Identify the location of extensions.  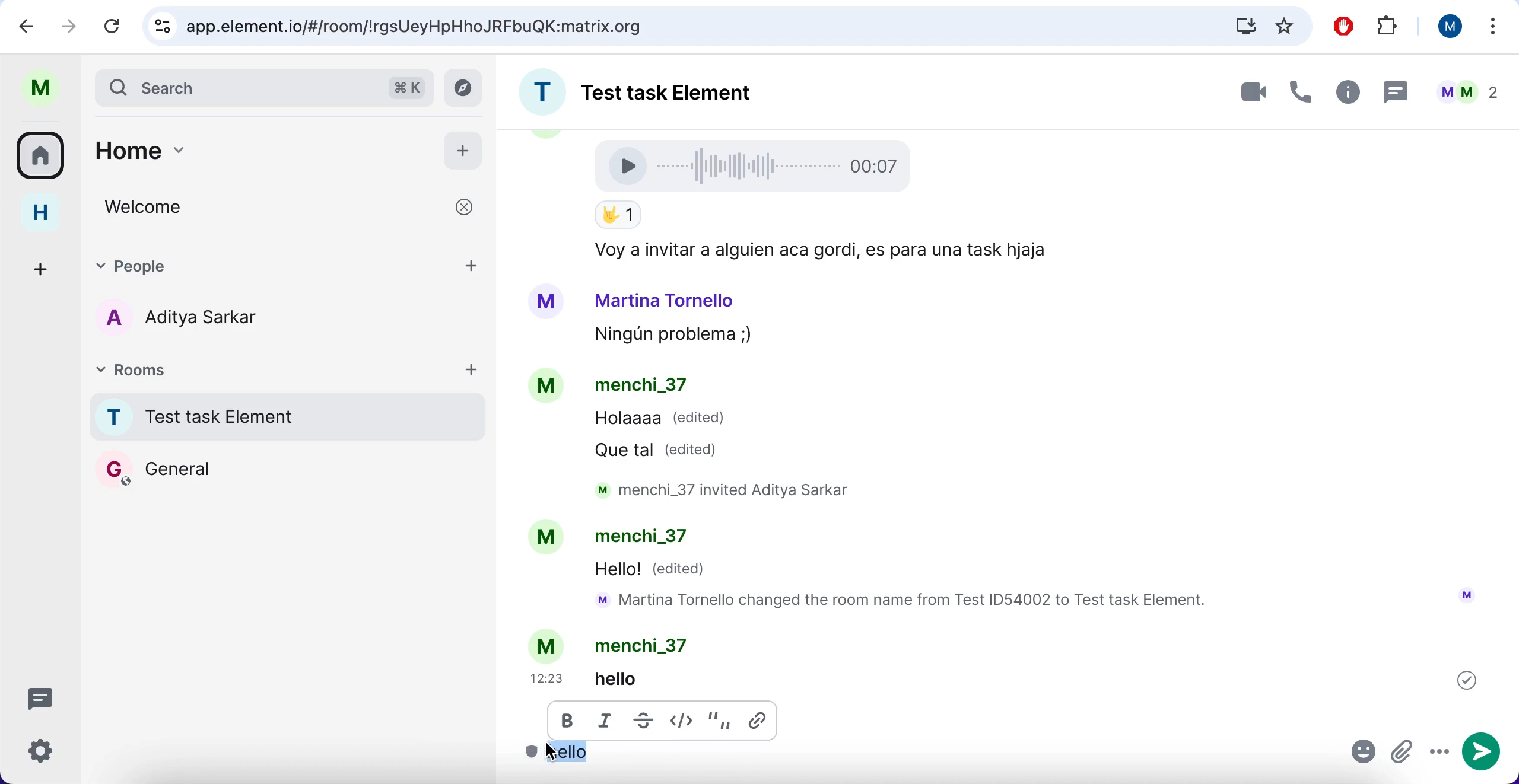
(1390, 27).